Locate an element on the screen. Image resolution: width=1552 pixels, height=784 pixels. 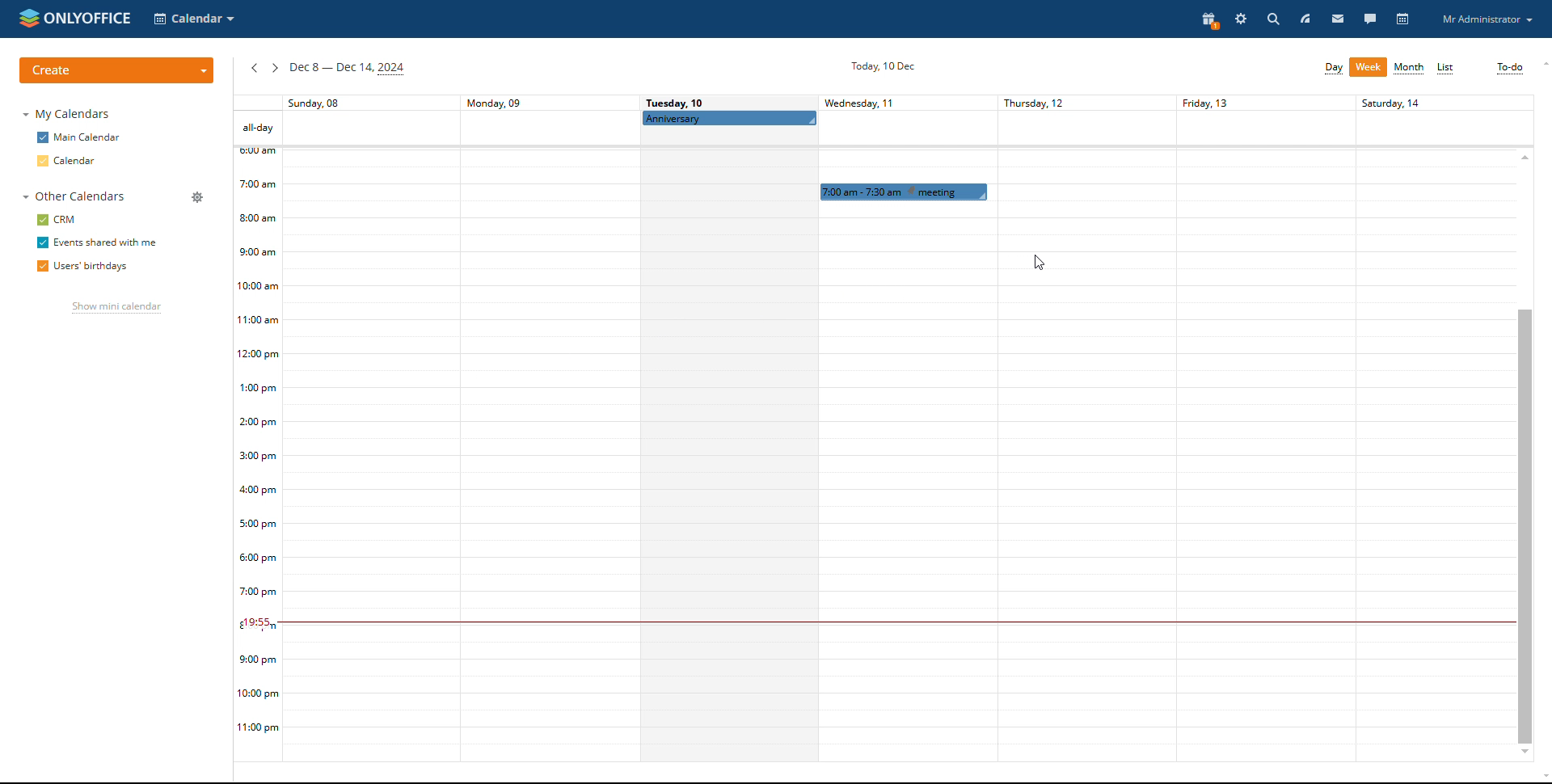
talk is located at coordinates (1371, 19).